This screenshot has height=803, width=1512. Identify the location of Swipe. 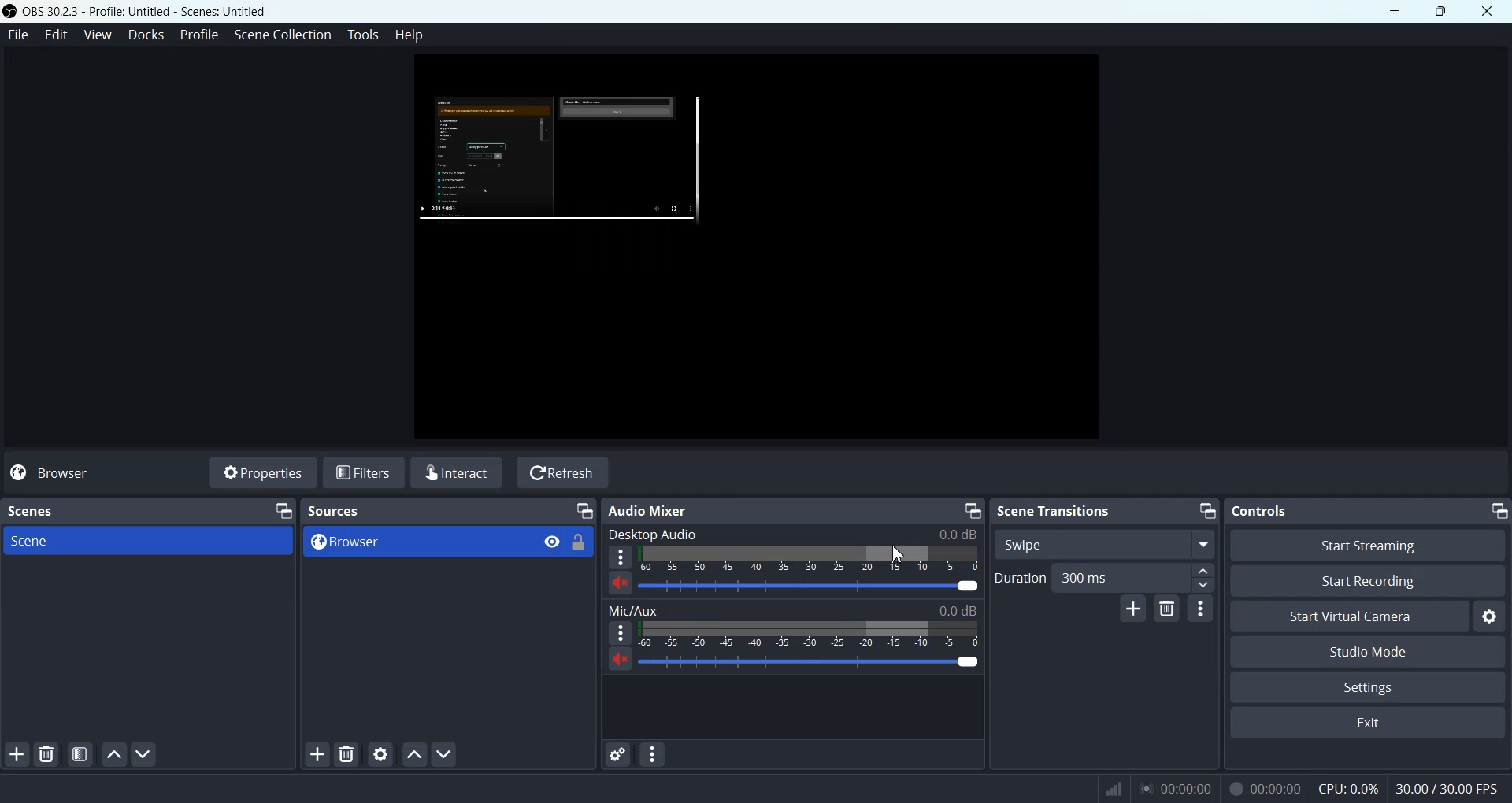
(1104, 544).